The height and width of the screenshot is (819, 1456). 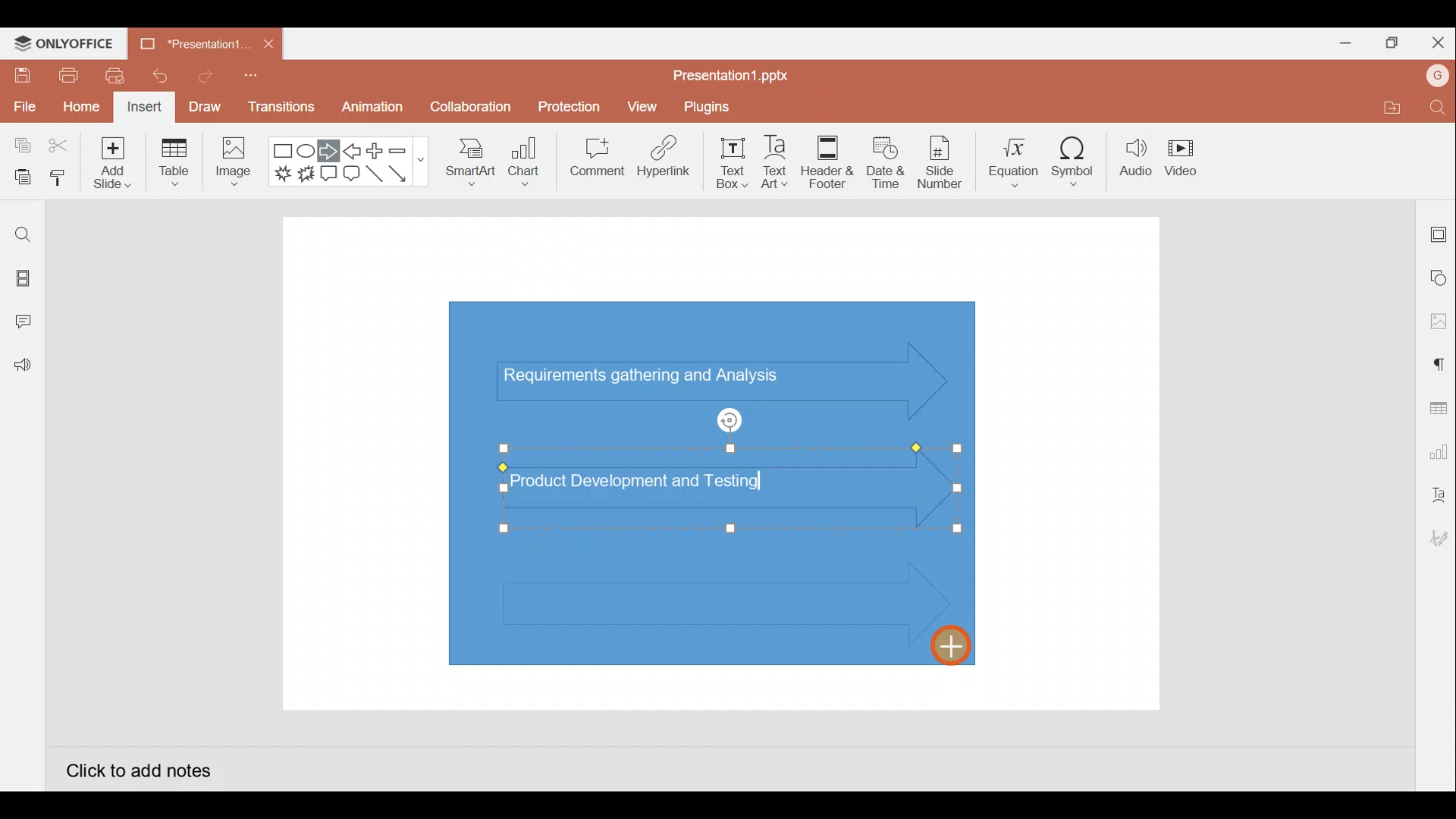 I want to click on Presentation1., so click(x=190, y=45).